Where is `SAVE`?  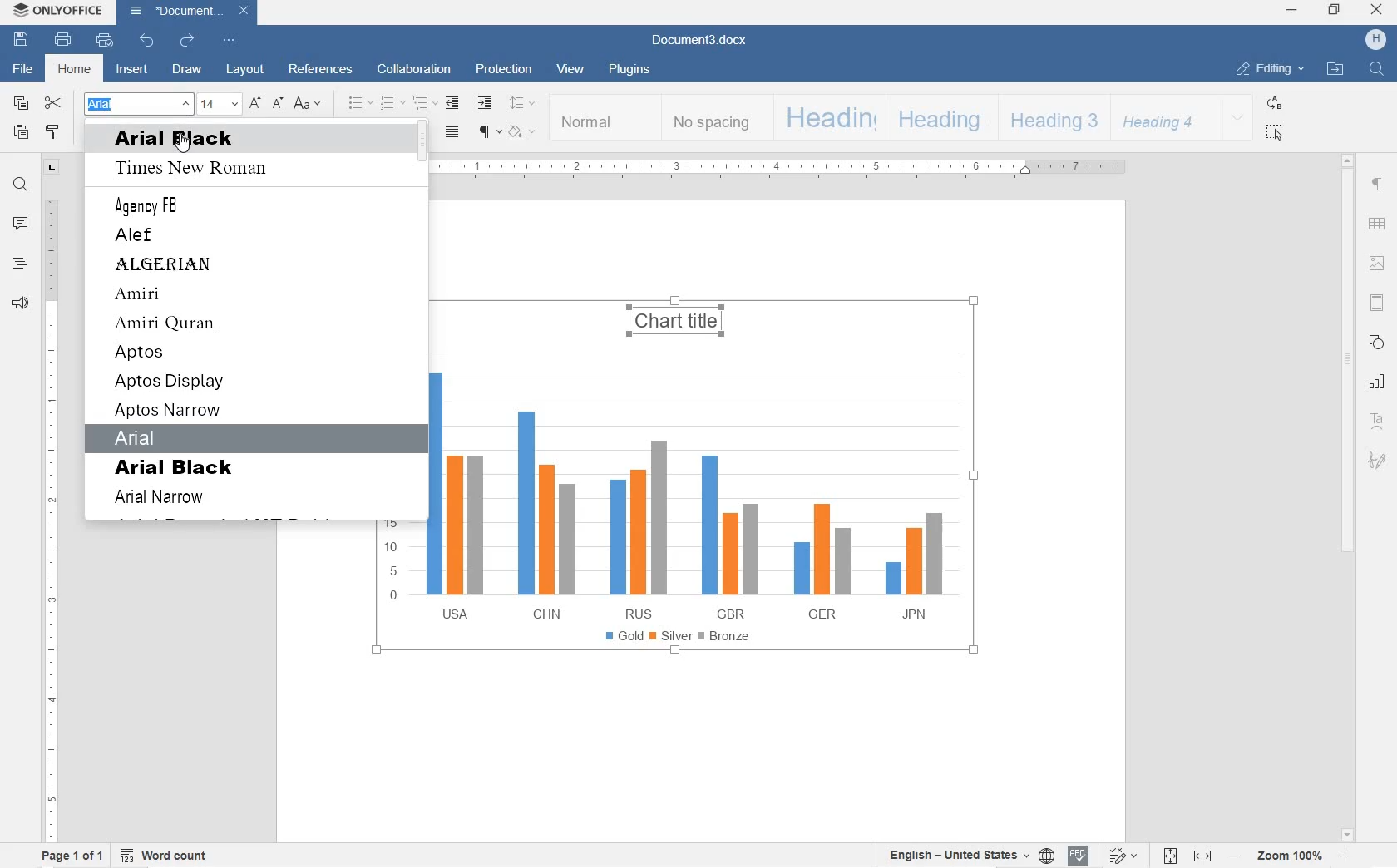 SAVE is located at coordinates (21, 42).